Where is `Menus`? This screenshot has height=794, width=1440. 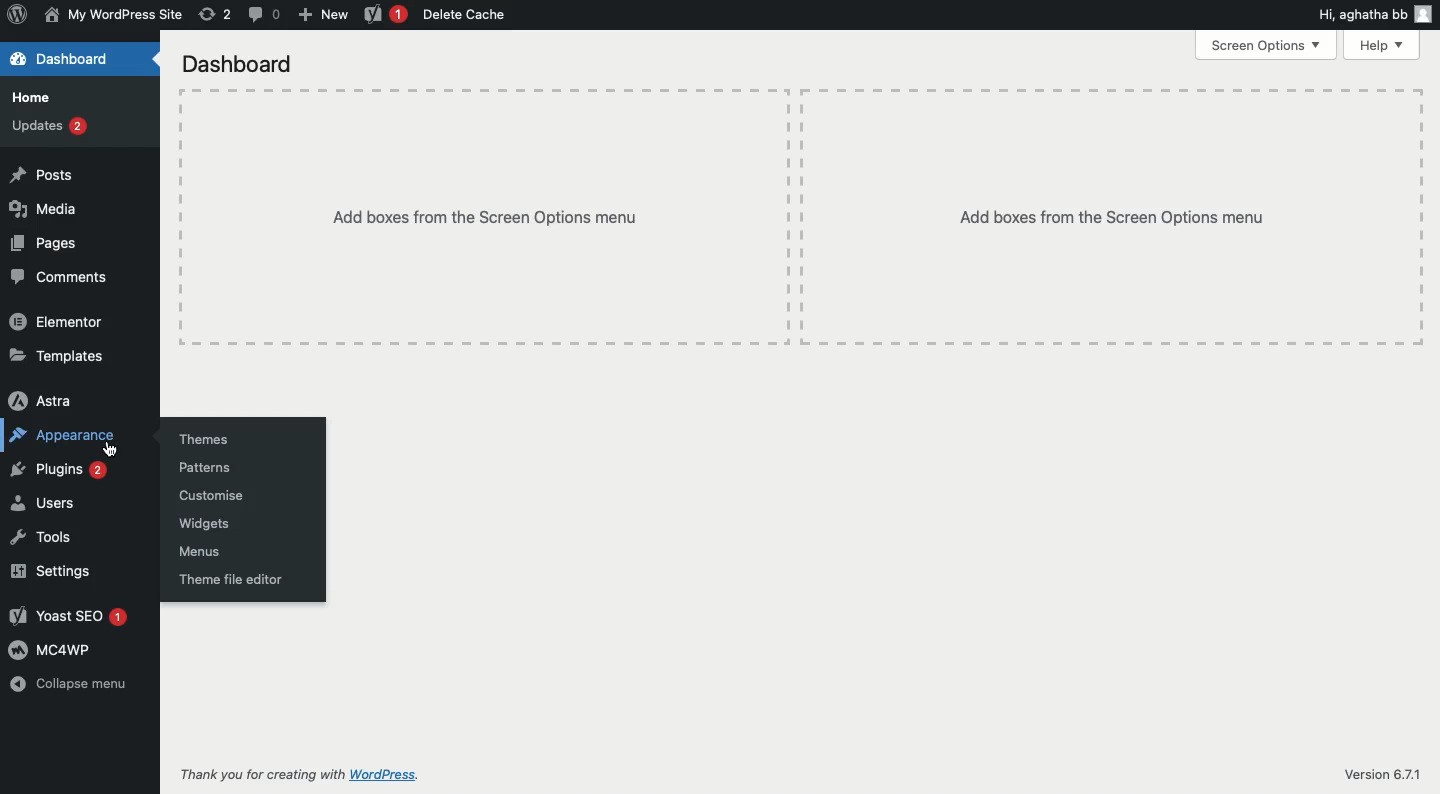
Menus is located at coordinates (202, 553).